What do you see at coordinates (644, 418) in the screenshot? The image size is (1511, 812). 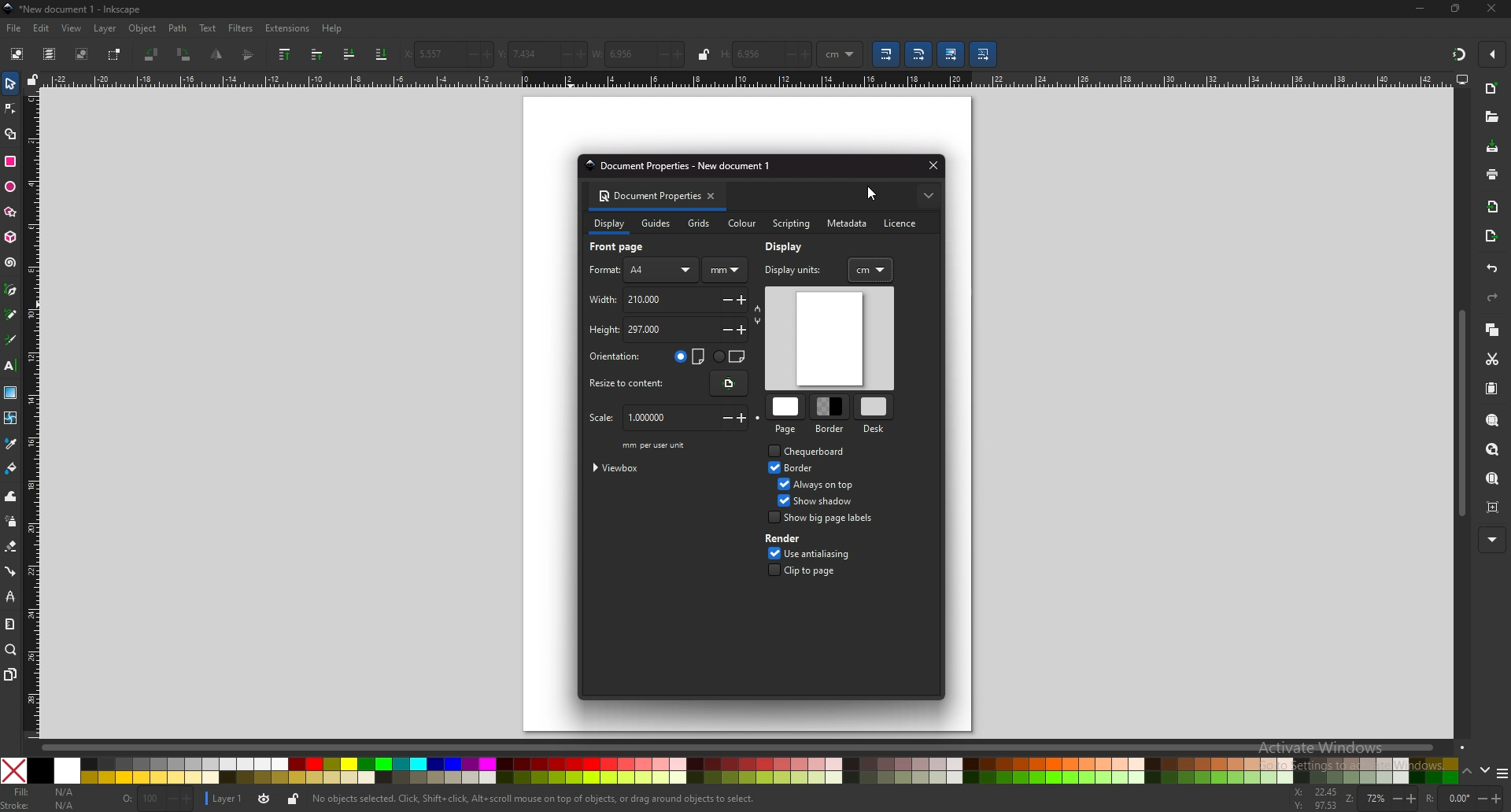 I see `scale` at bounding box center [644, 418].